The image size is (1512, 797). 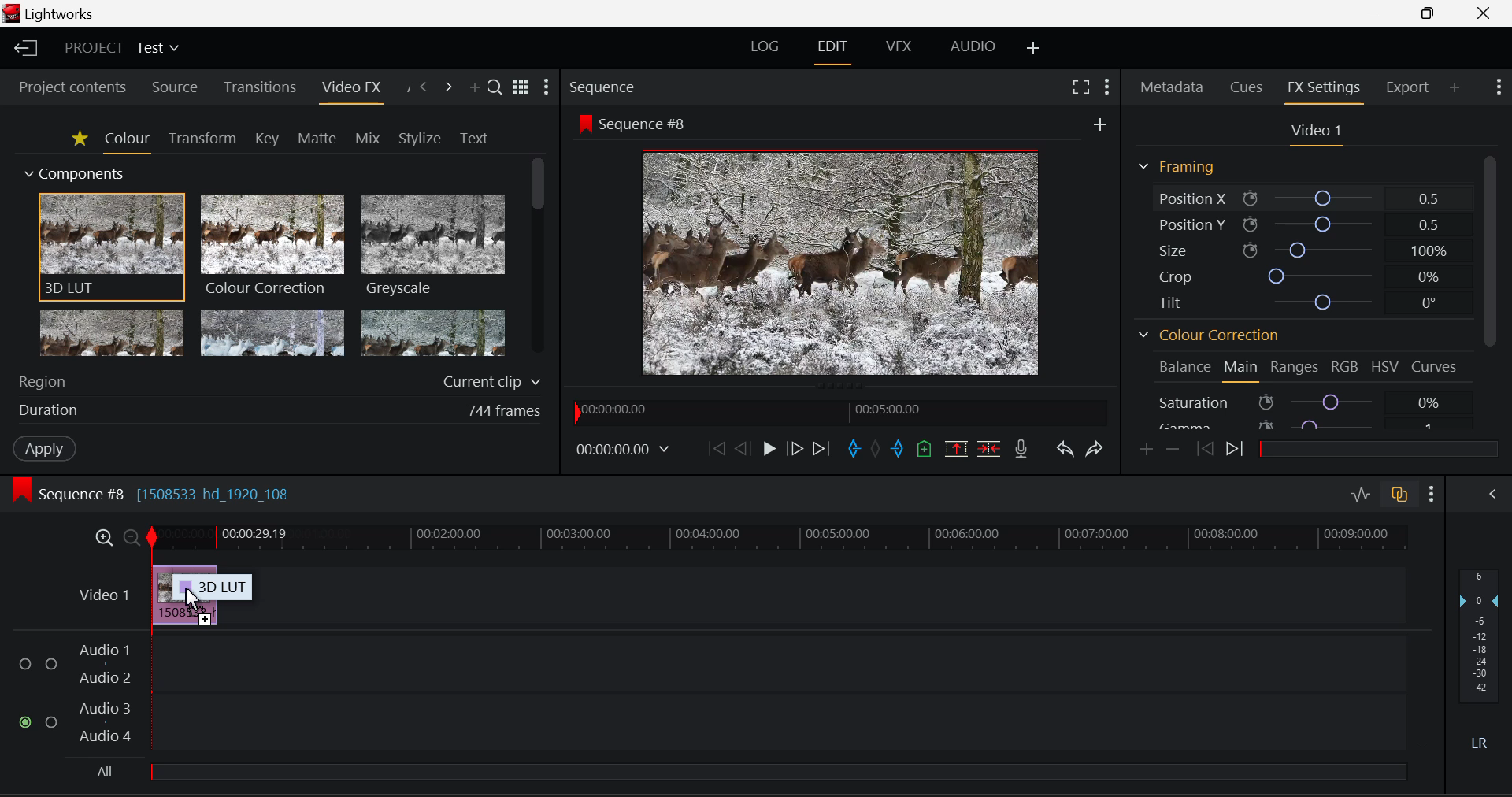 I want to click on Matte, so click(x=313, y=136).